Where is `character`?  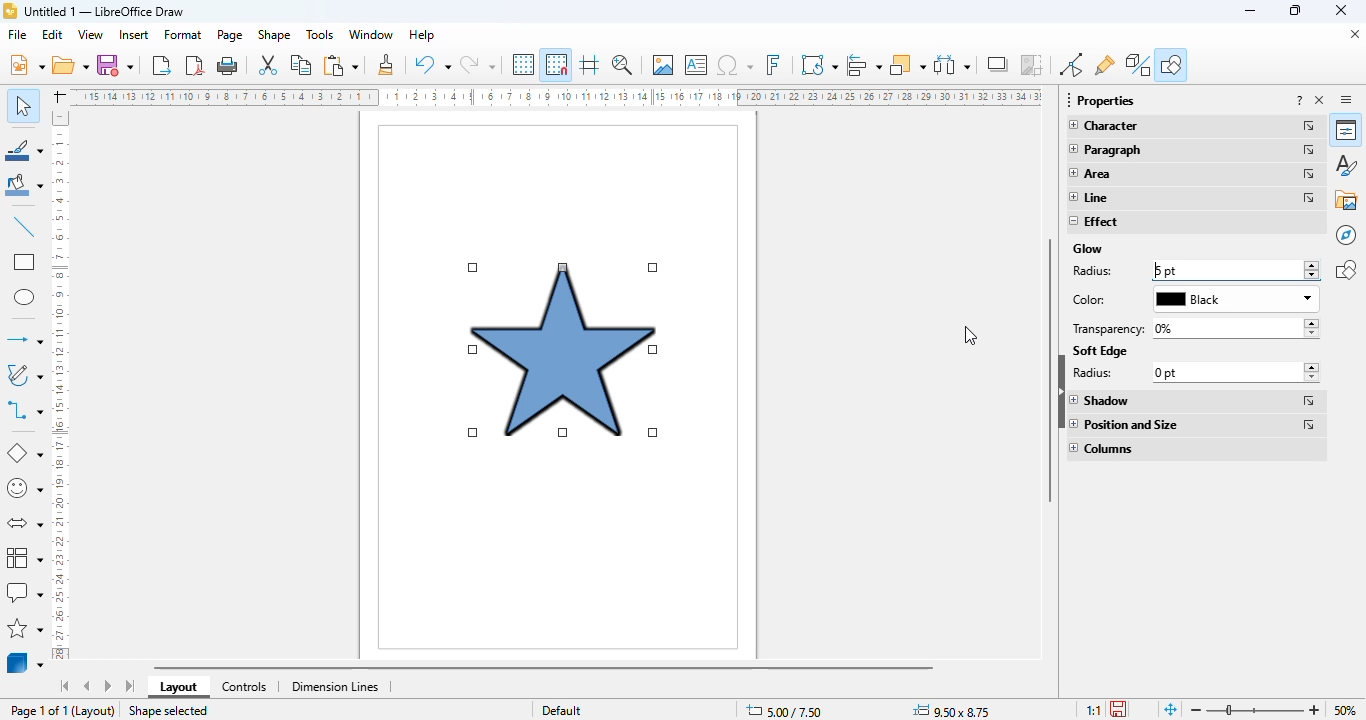 character is located at coordinates (1105, 124).